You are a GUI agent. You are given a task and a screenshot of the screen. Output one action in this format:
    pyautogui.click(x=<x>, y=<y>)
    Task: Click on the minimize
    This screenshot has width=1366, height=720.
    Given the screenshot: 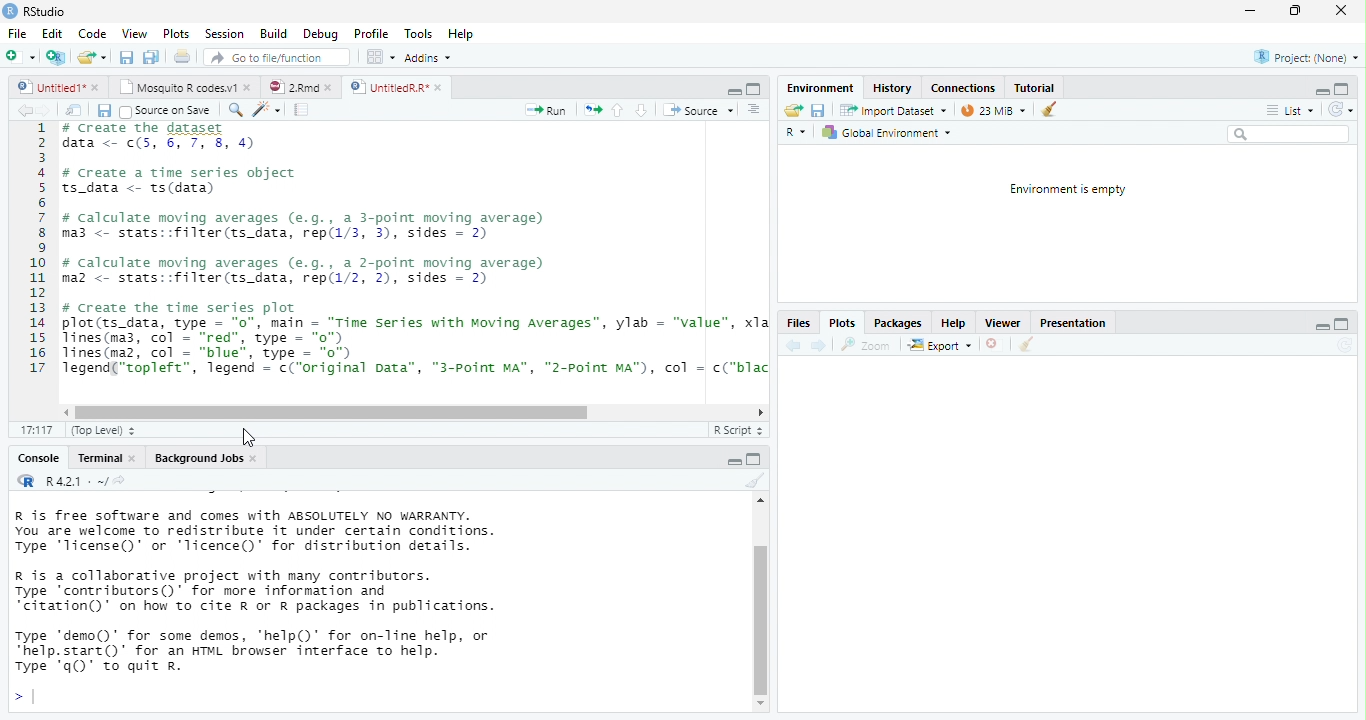 What is the action you would take?
    pyautogui.click(x=1319, y=93)
    